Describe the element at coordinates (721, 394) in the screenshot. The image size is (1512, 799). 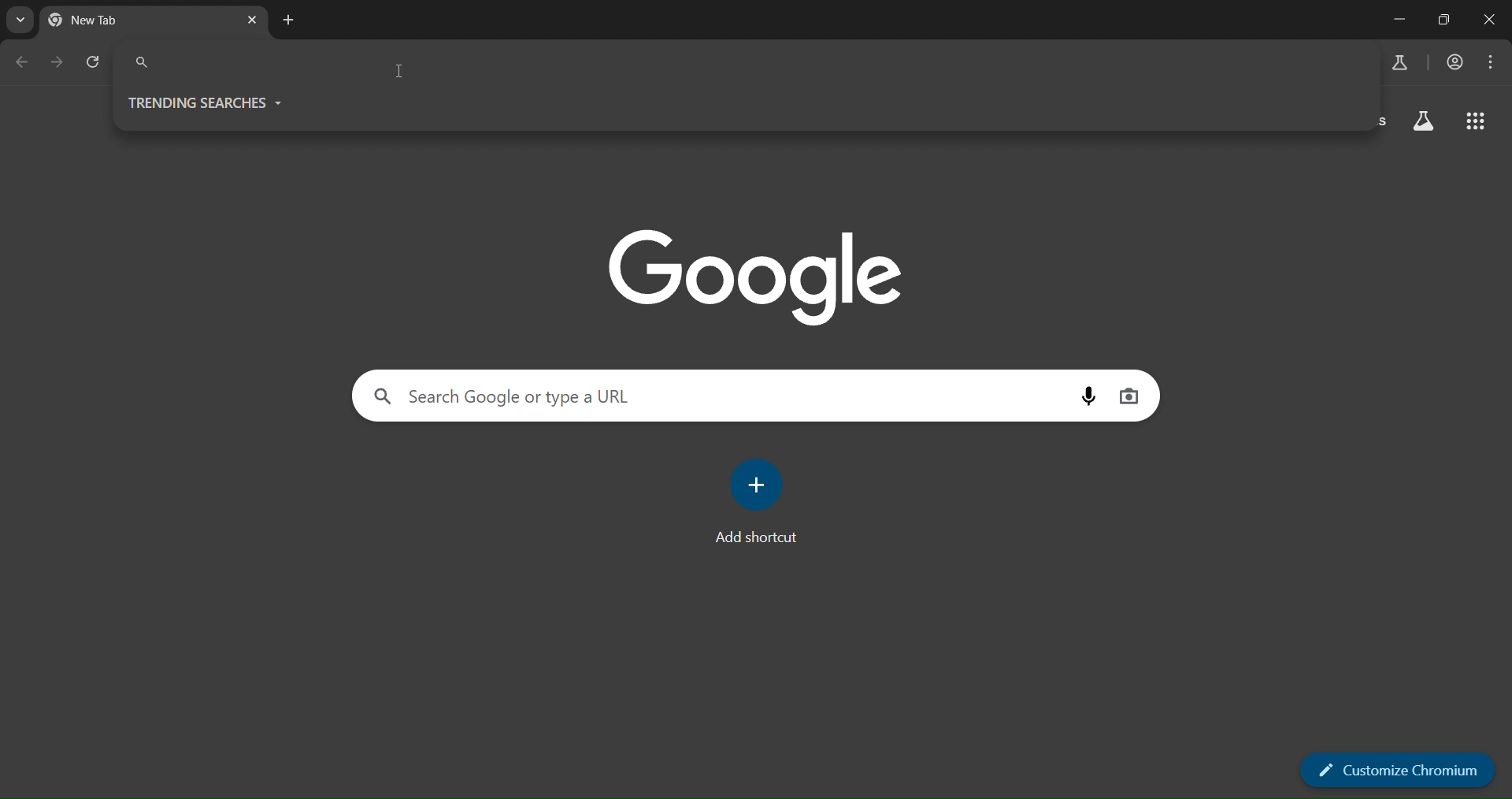
I see `search google or type a URL` at that location.